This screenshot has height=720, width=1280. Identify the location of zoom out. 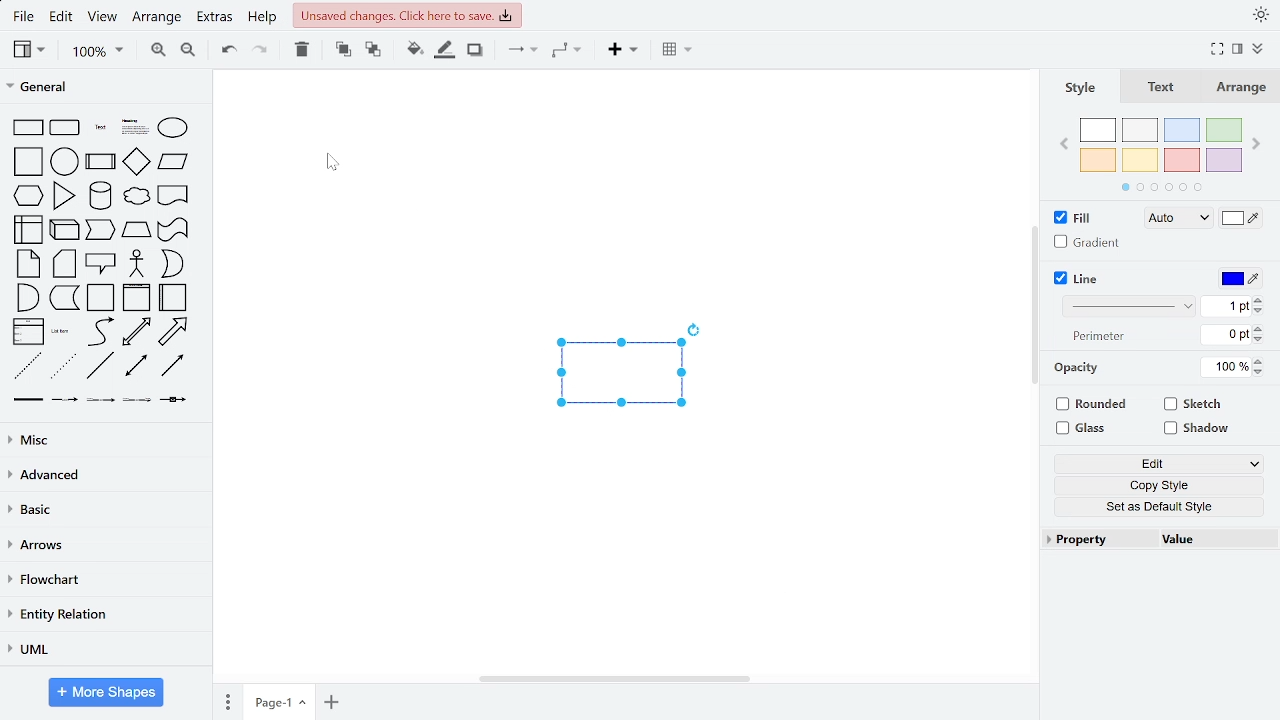
(190, 53).